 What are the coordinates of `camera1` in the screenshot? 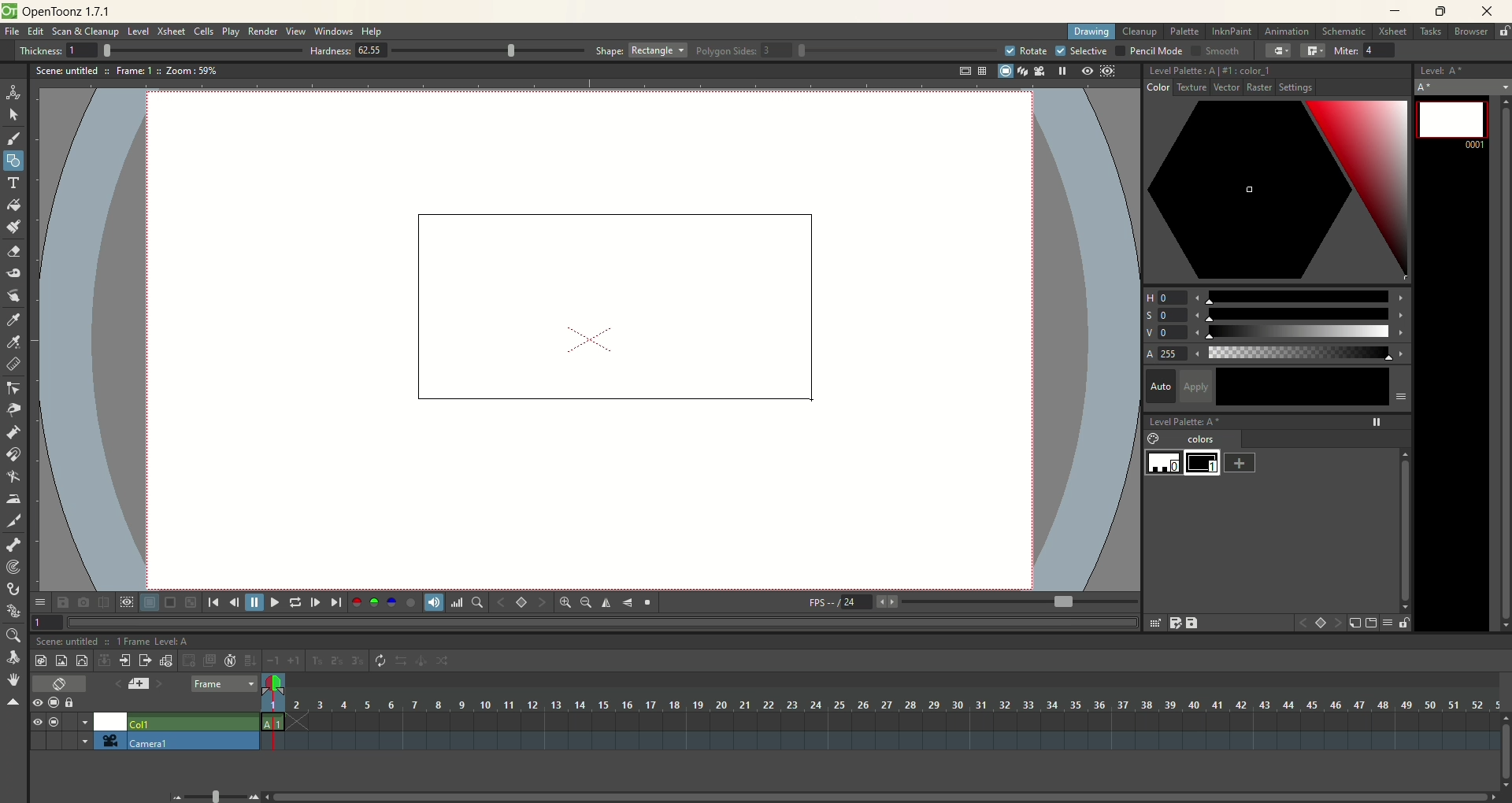 It's located at (79, 740).